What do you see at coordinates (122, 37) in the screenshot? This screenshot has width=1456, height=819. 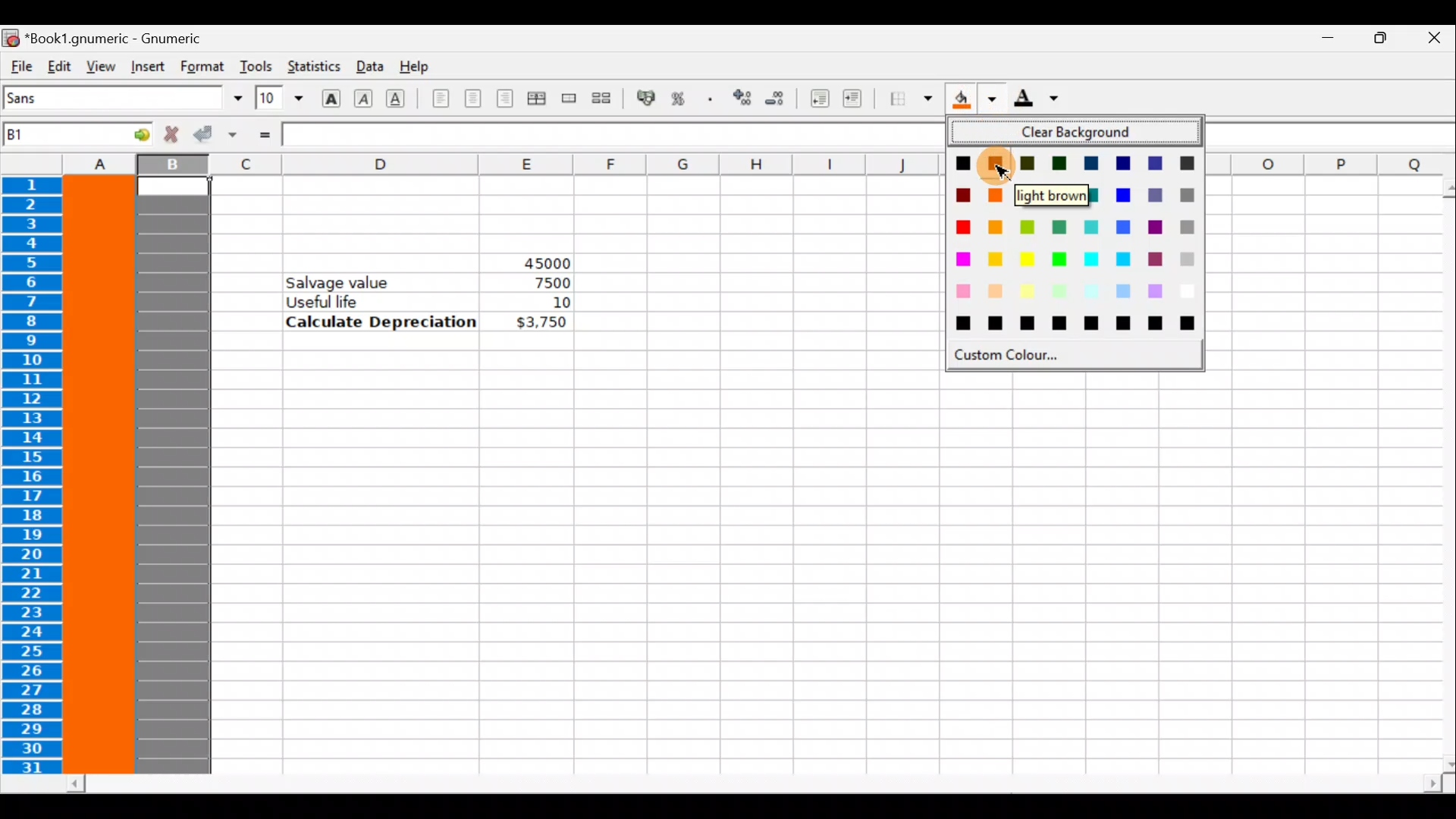 I see `Book1.gnumeric - Gnumeric` at bounding box center [122, 37].